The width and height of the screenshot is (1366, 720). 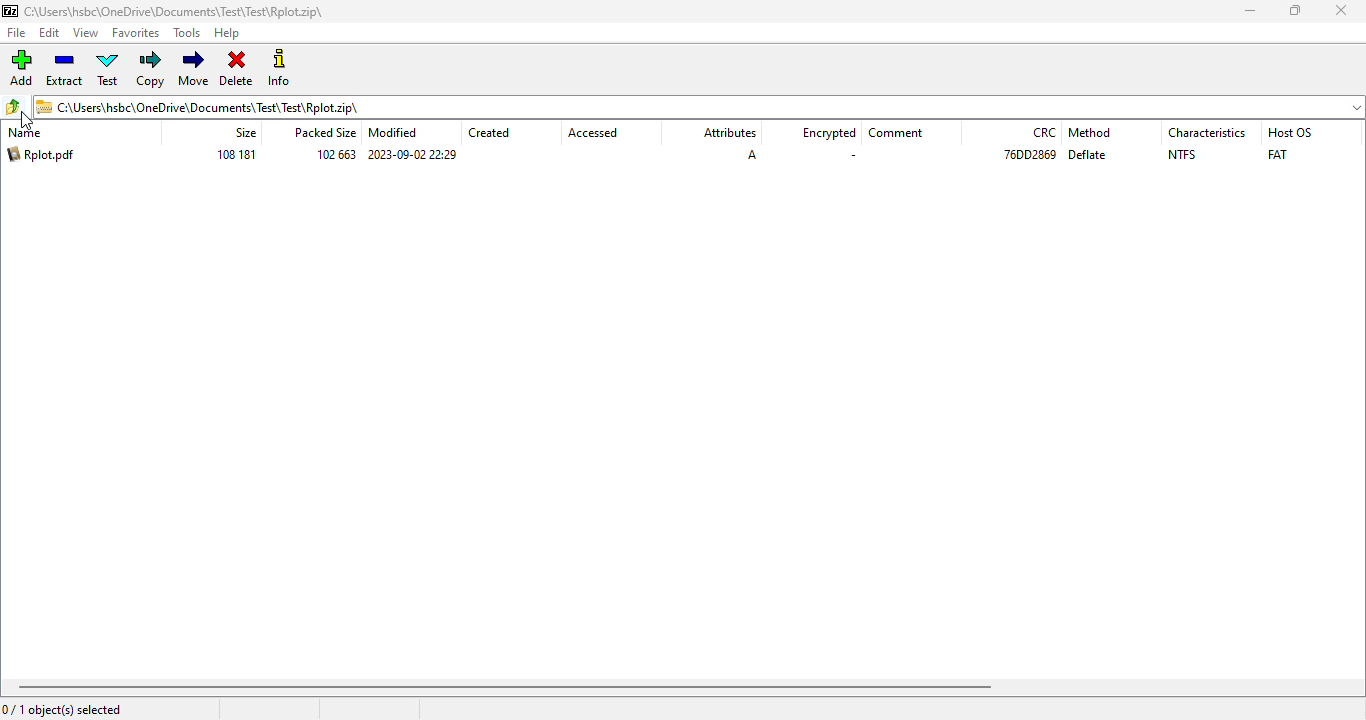 What do you see at coordinates (412, 155) in the screenshot?
I see `2023-09-02 22:29` at bounding box center [412, 155].